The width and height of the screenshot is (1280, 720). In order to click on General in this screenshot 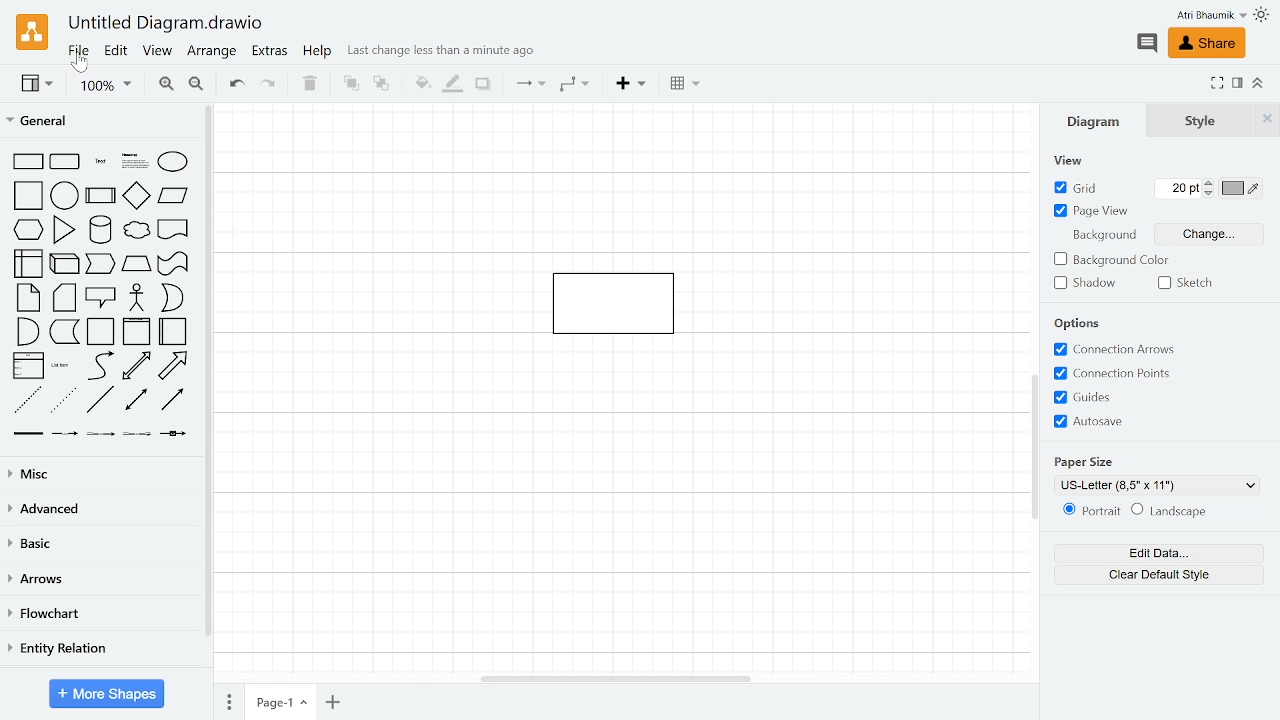, I will do `click(101, 121)`.